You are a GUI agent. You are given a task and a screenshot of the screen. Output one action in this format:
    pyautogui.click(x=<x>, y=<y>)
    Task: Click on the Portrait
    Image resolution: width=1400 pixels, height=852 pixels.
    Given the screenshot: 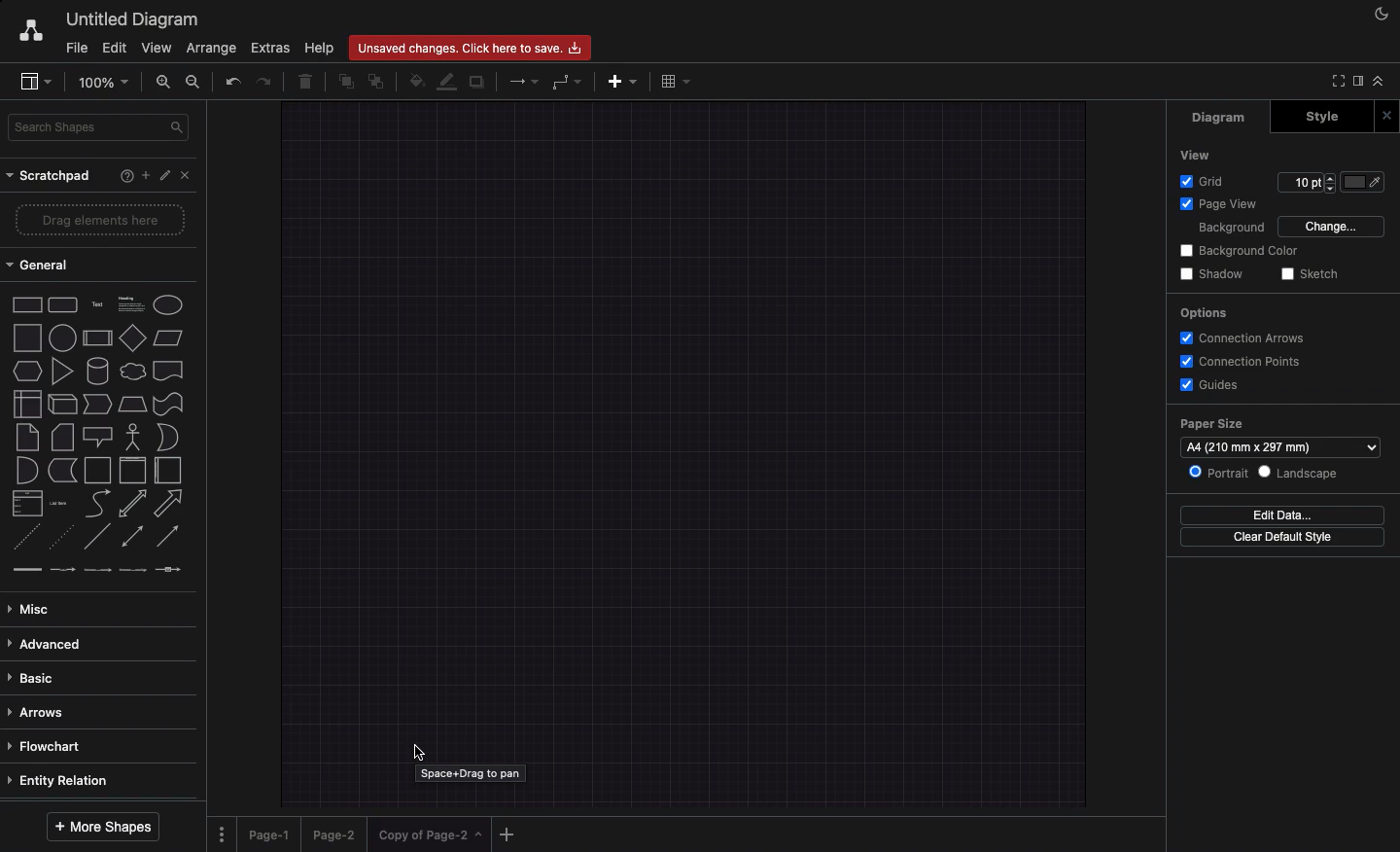 What is the action you would take?
    pyautogui.click(x=1217, y=472)
    